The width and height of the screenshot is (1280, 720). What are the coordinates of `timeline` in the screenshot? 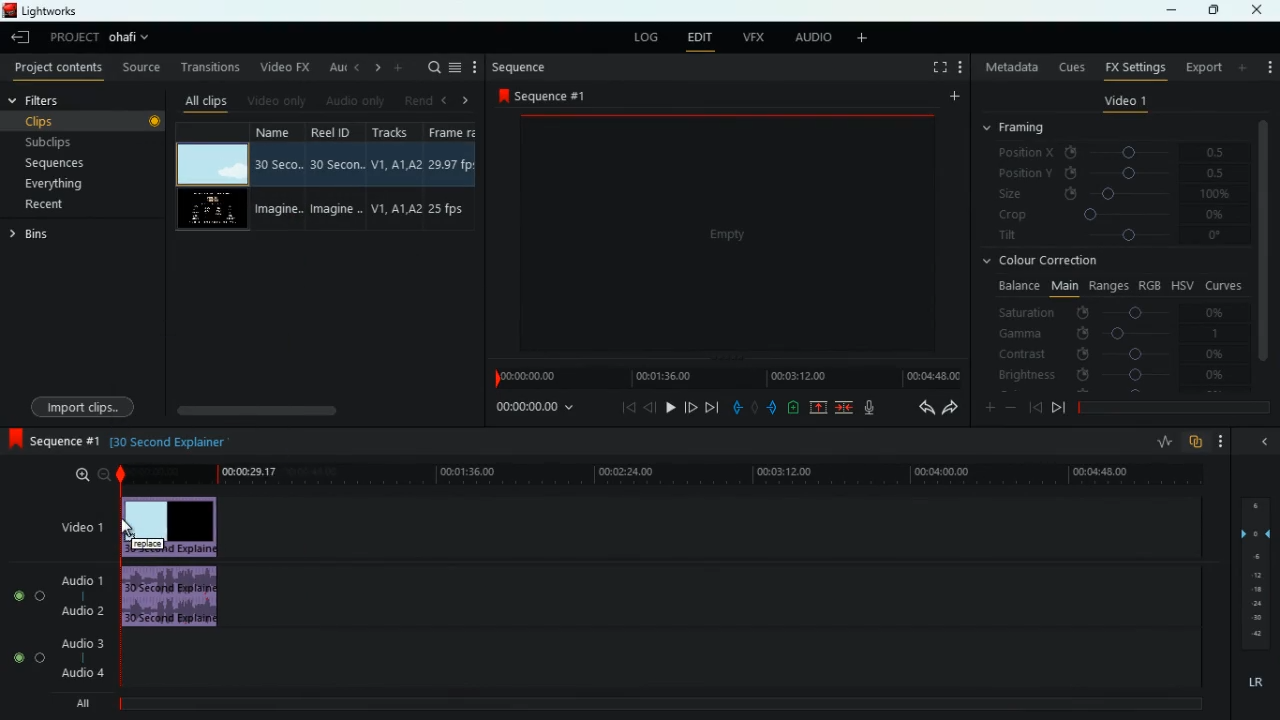 It's located at (724, 376).